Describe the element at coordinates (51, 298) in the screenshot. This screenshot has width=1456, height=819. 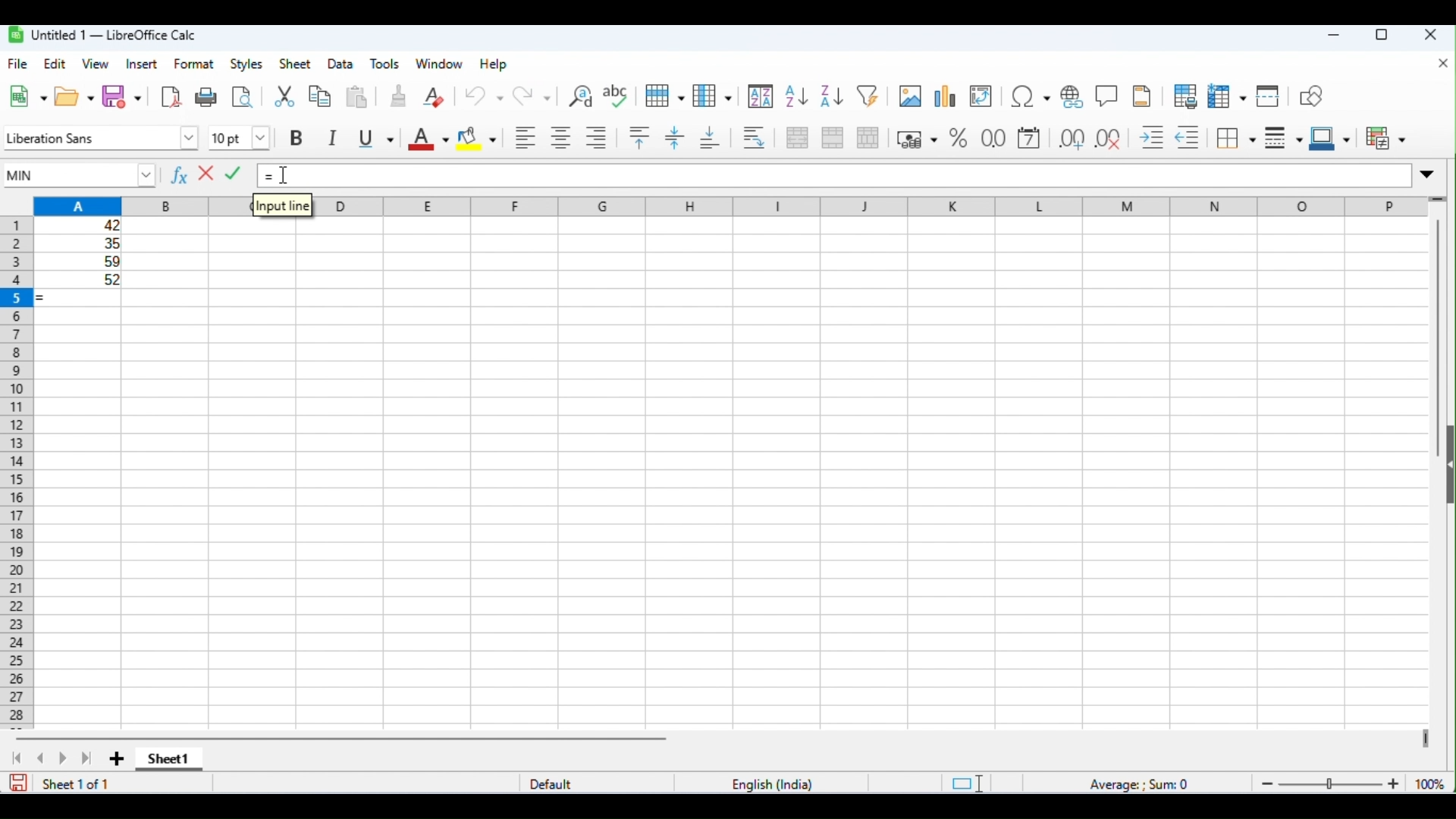
I see `= appeared ` at that location.